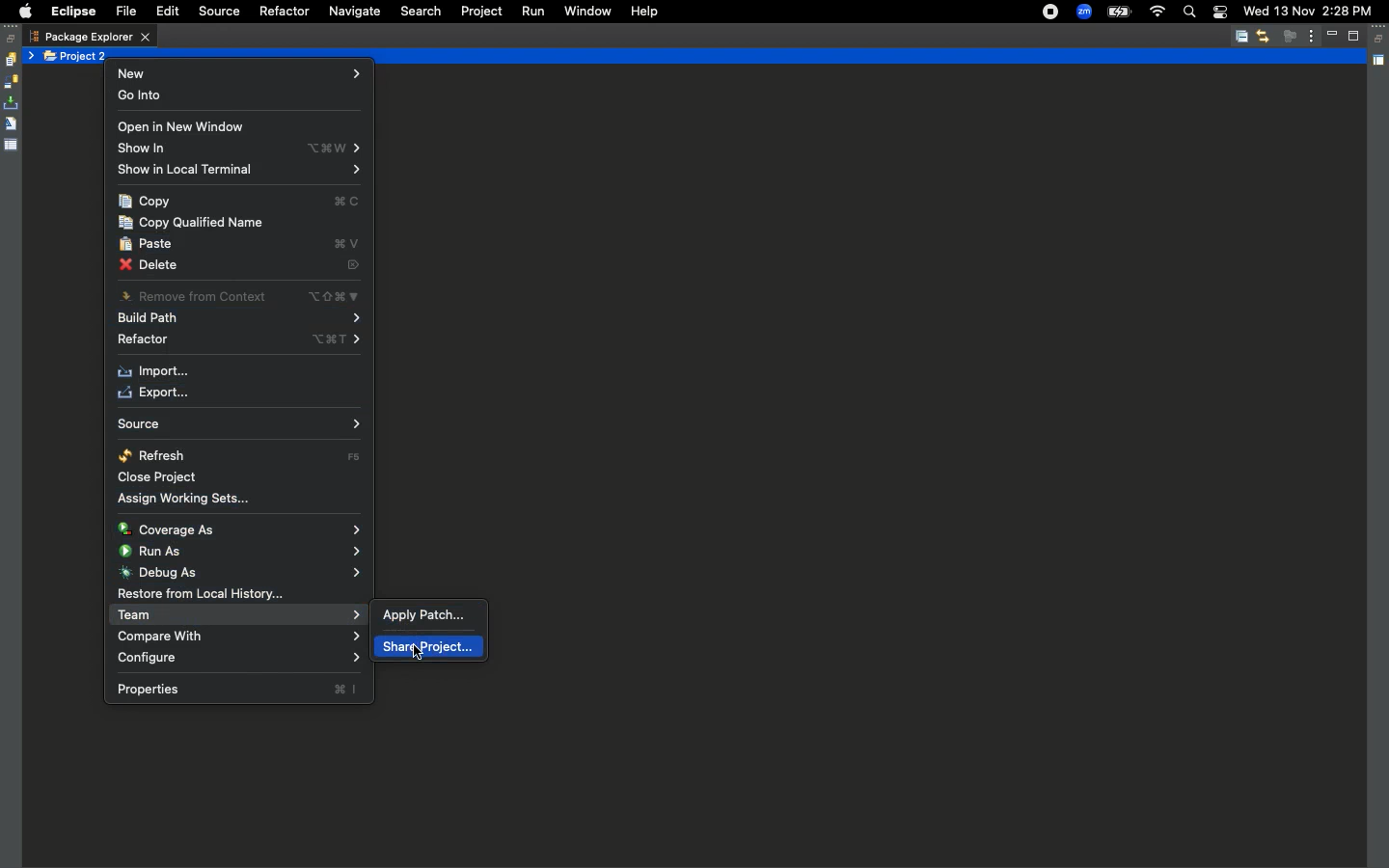 This screenshot has height=868, width=1389. Describe the element at coordinates (1263, 36) in the screenshot. I see `Link with editor` at that location.